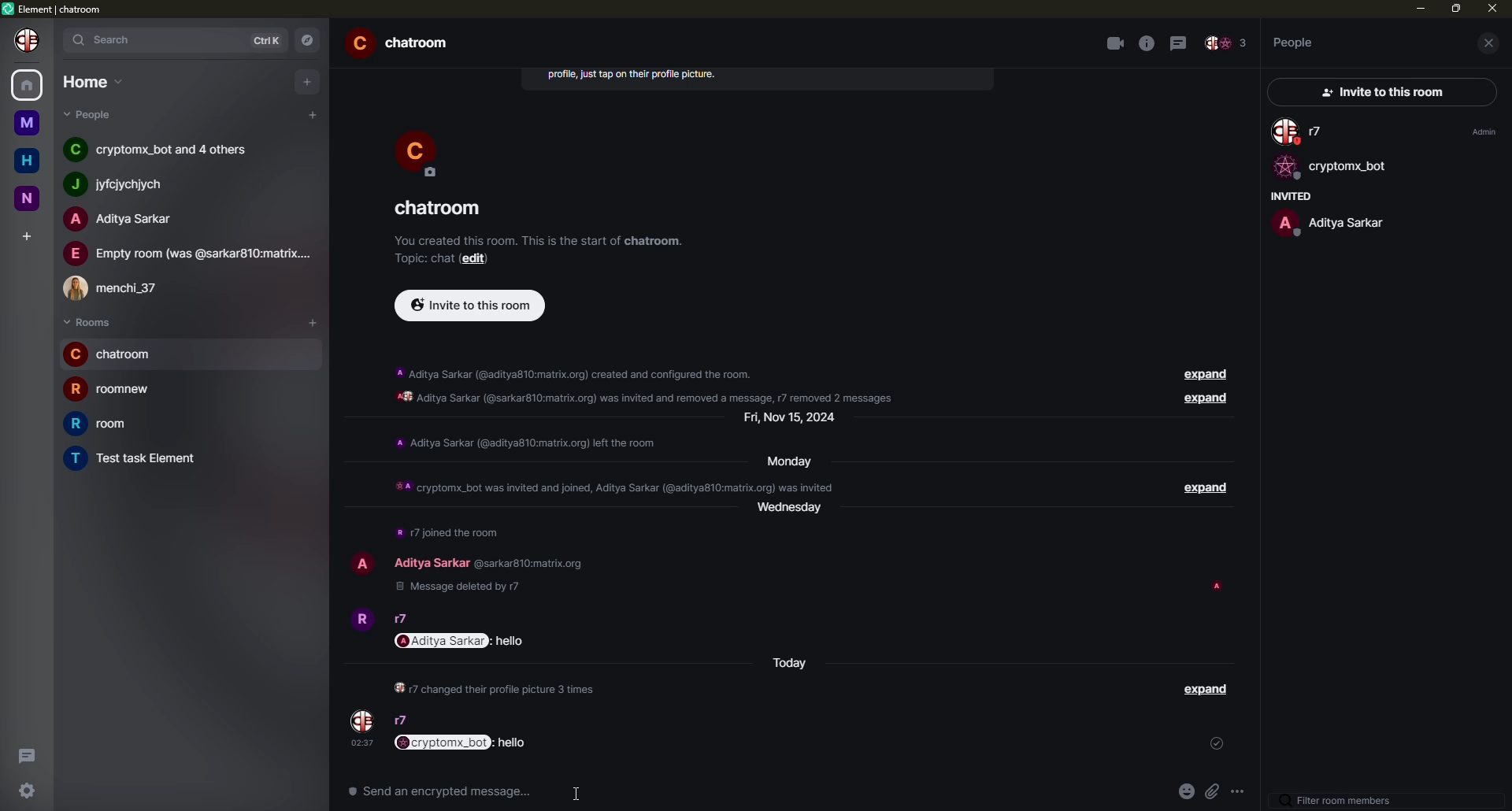  I want to click on hello, so click(497, 791).